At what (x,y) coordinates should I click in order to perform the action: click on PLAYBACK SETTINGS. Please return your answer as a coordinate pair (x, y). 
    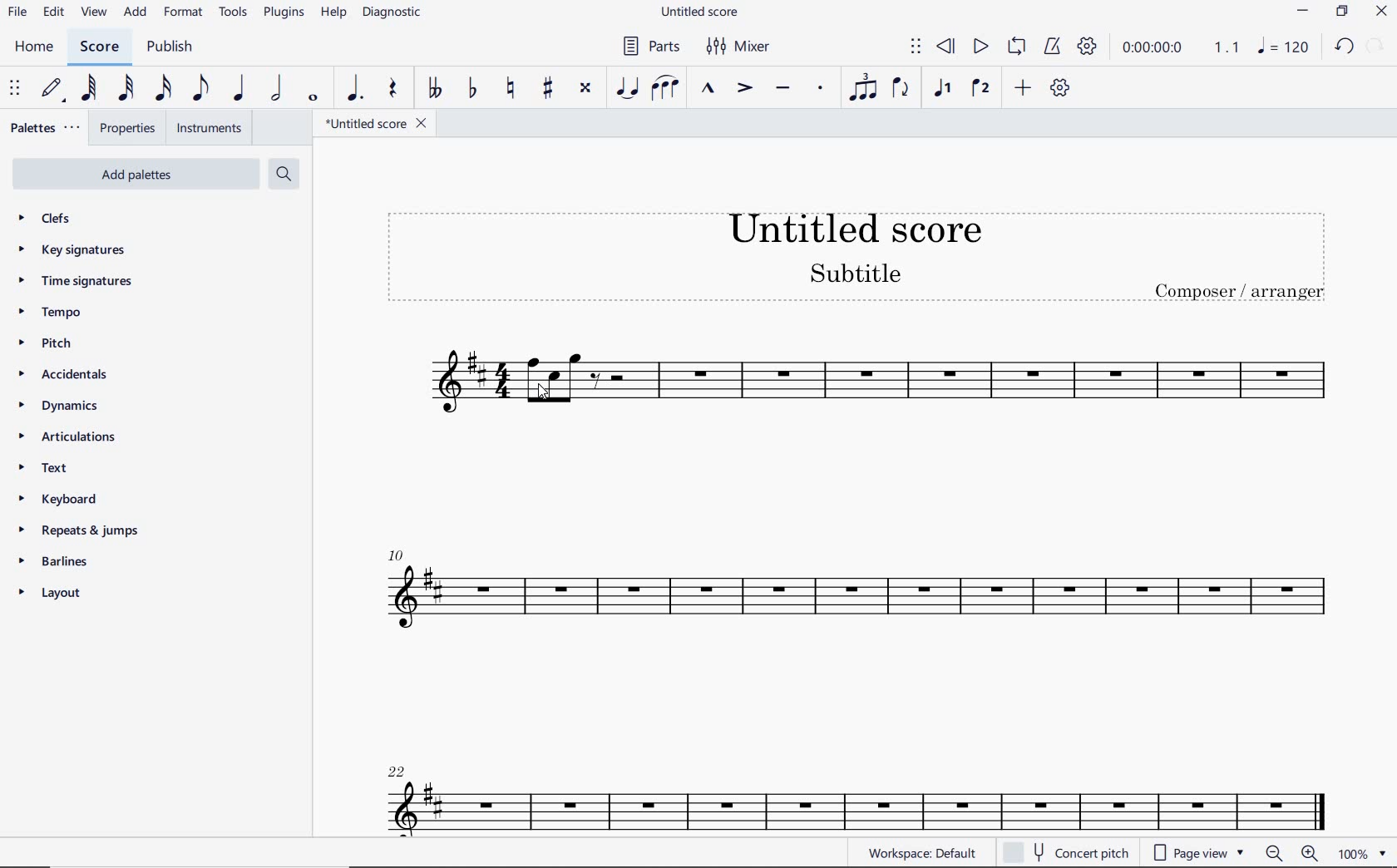
    Looking at the image, I should click on (1088, 47).